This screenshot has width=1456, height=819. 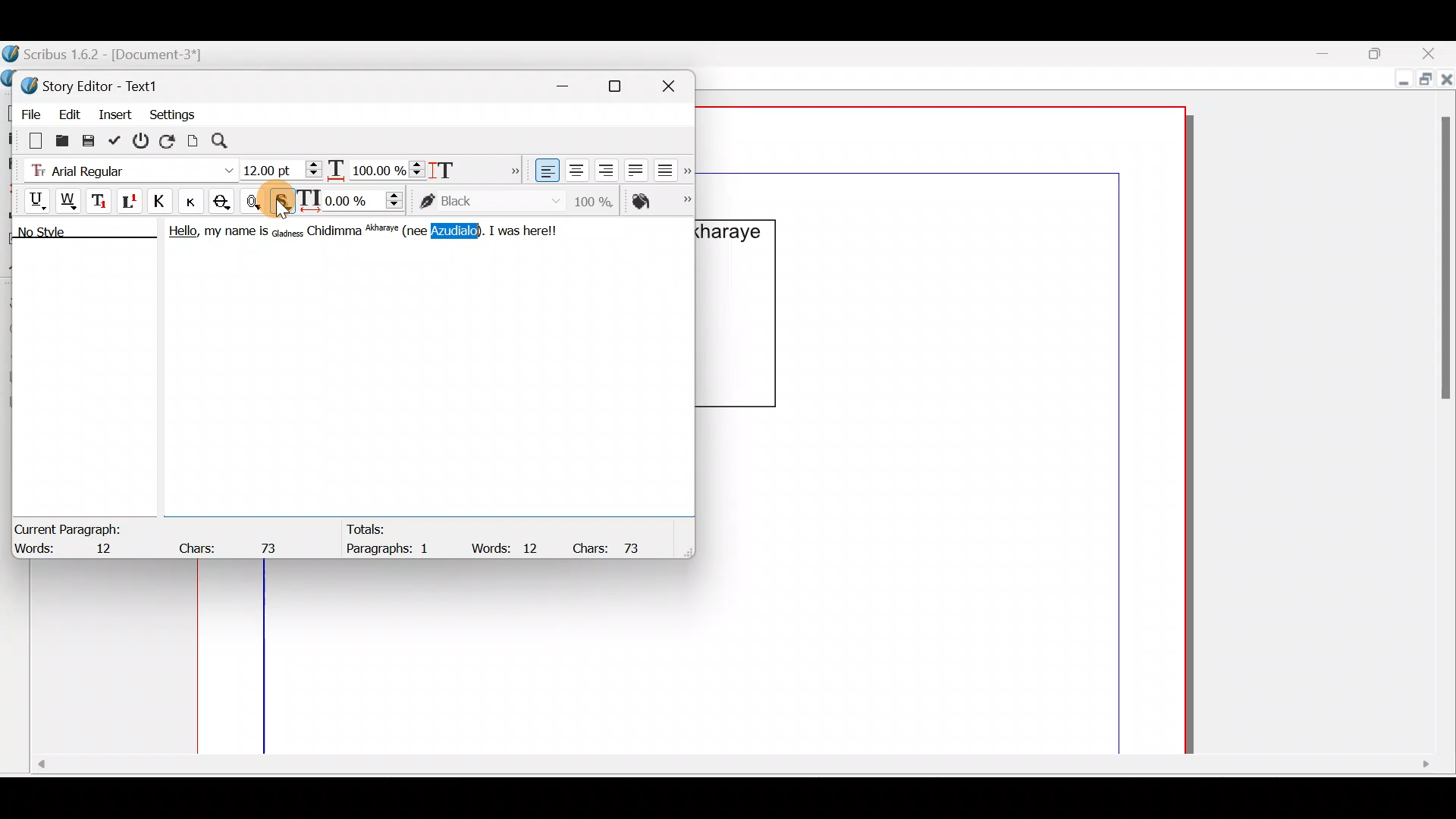 What do you see at coordinates (526, 229) in the screenshot?
I see `I was herel!` at bounding box center [526, 229].